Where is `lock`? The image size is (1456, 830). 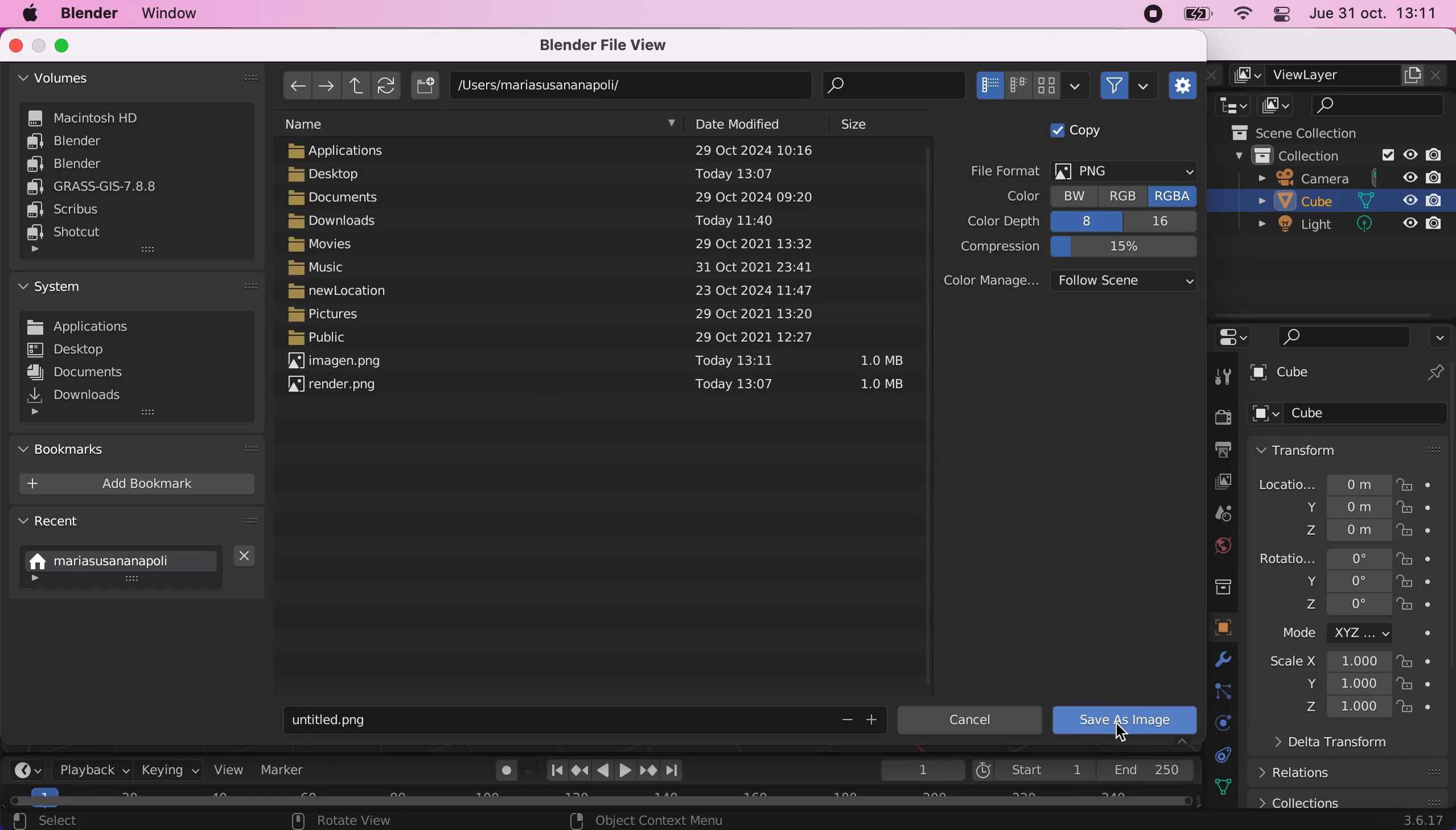
lock is located at coordinates (1421, 483).